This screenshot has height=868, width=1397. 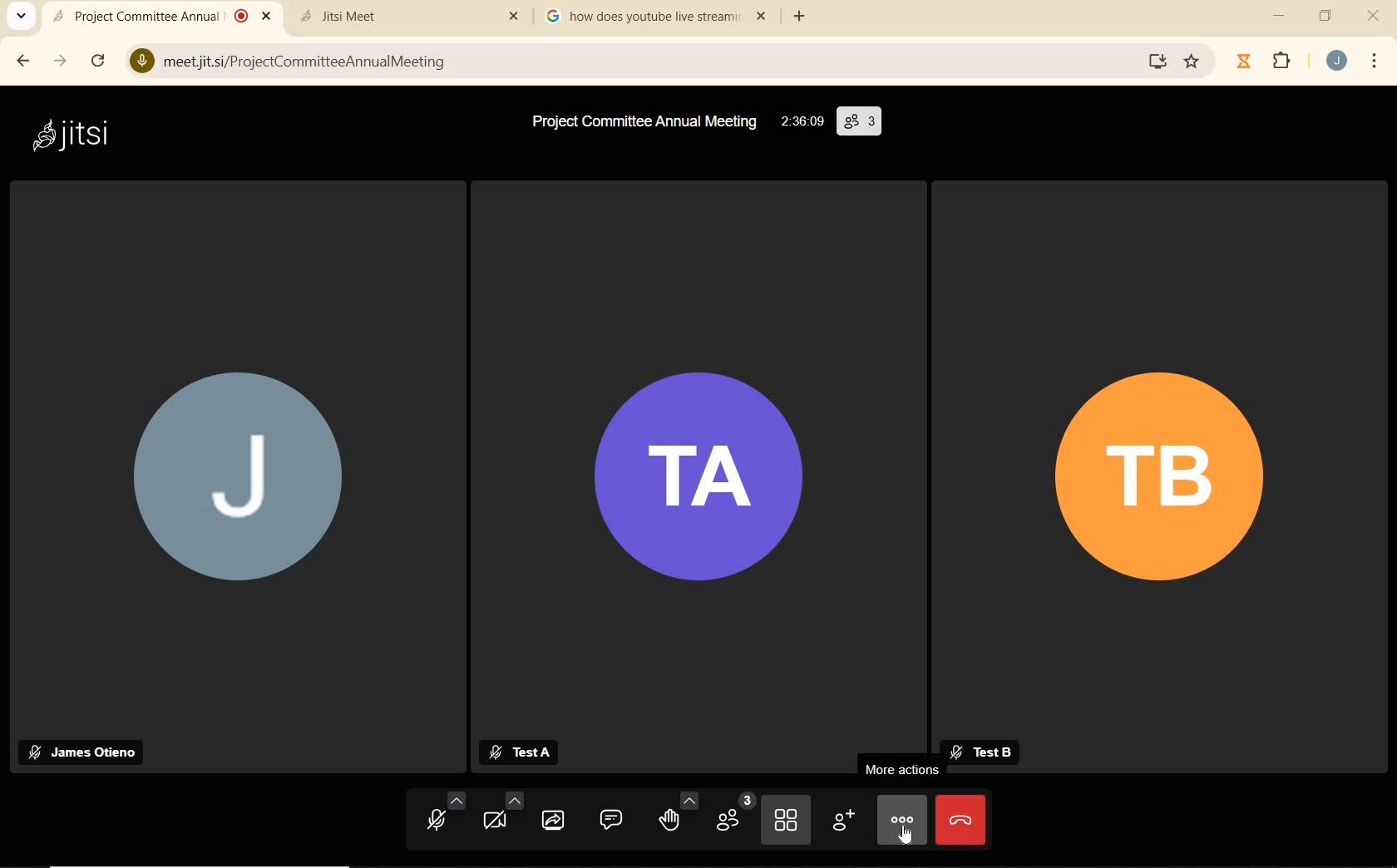 What do you see at coordinates (1244, 63) in the screenshot?
I see `Jibble` at bounding box center [1244, 63].